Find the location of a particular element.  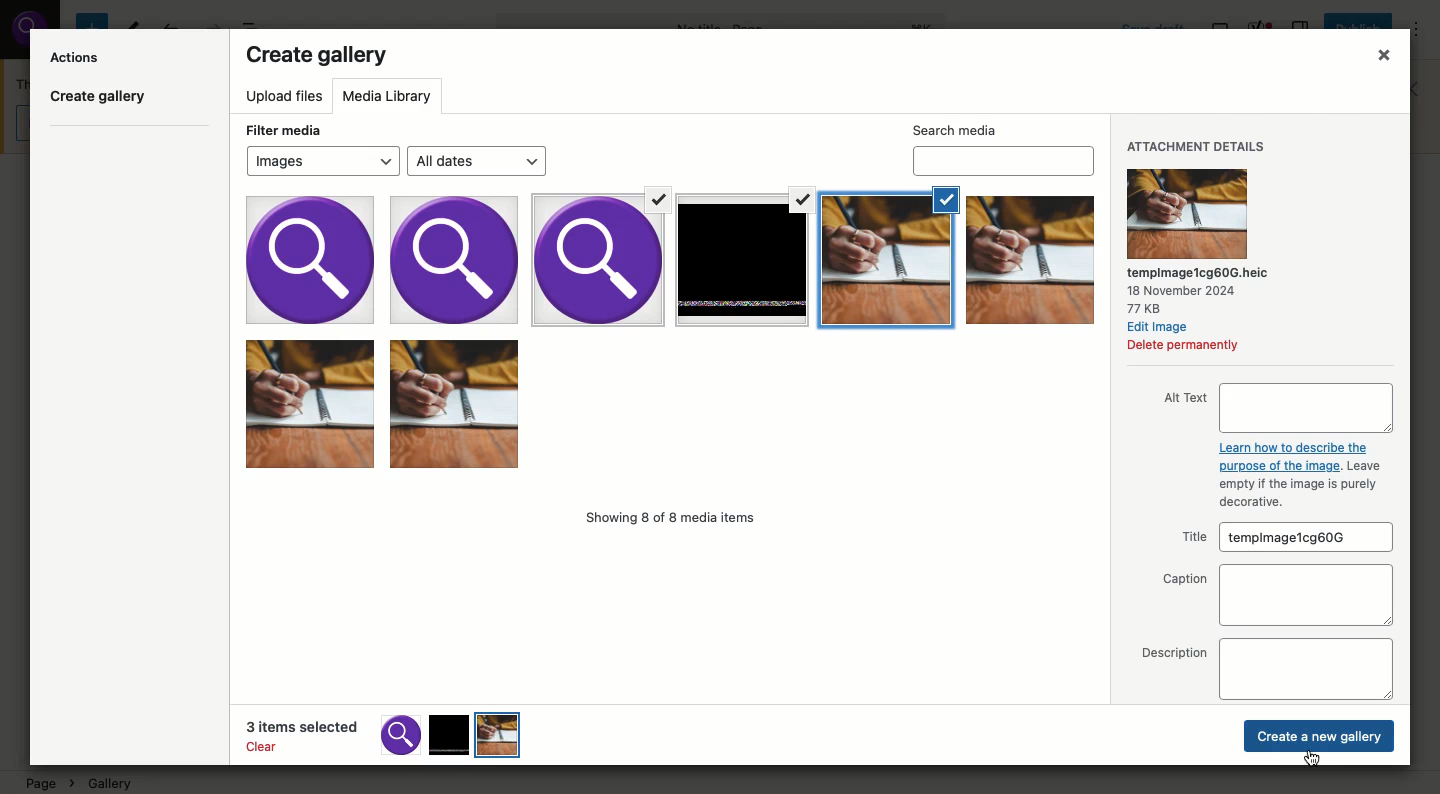

Upload files is located at coordinates (285, 98).